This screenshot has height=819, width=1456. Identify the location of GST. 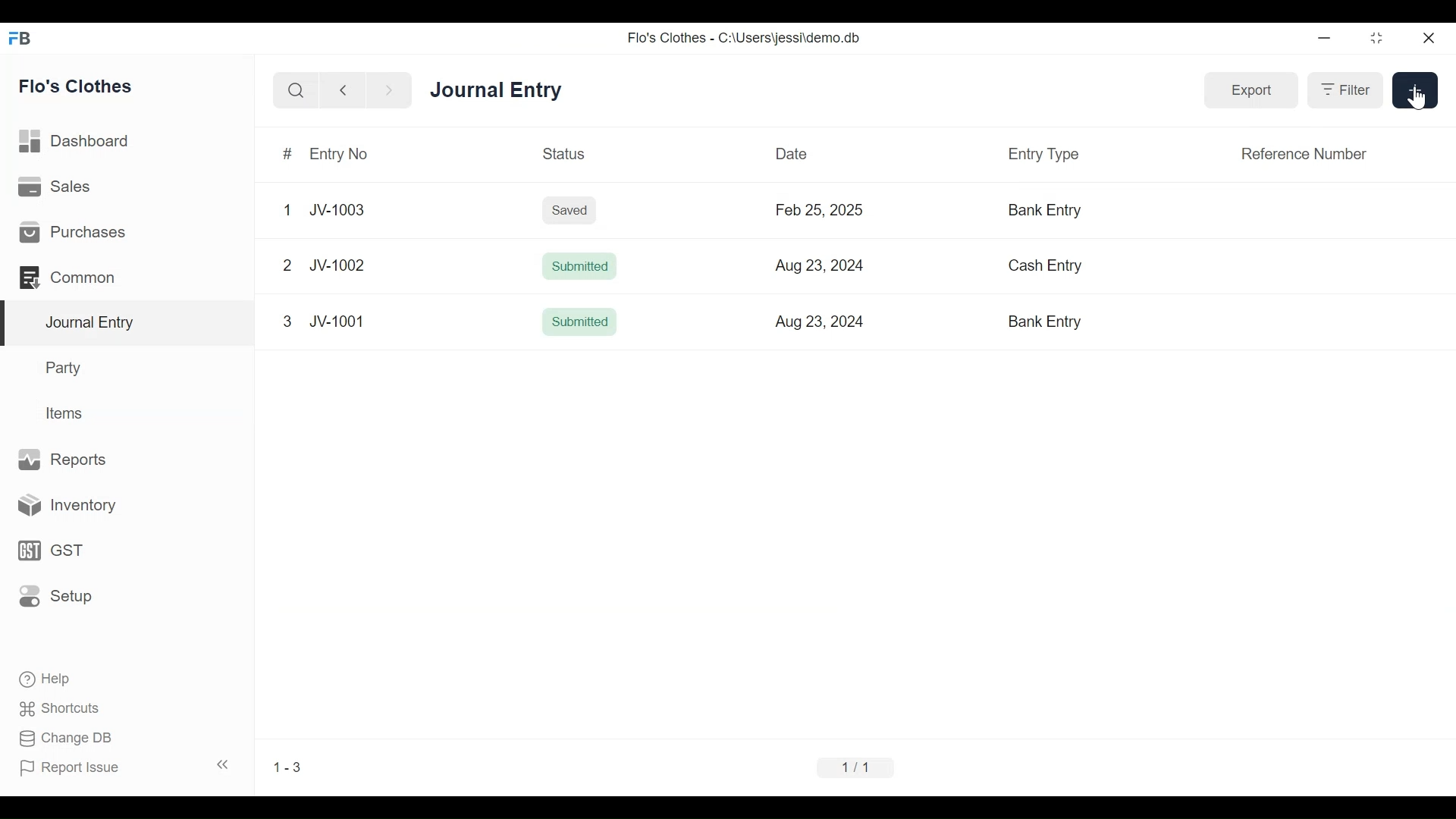
(49, 552).